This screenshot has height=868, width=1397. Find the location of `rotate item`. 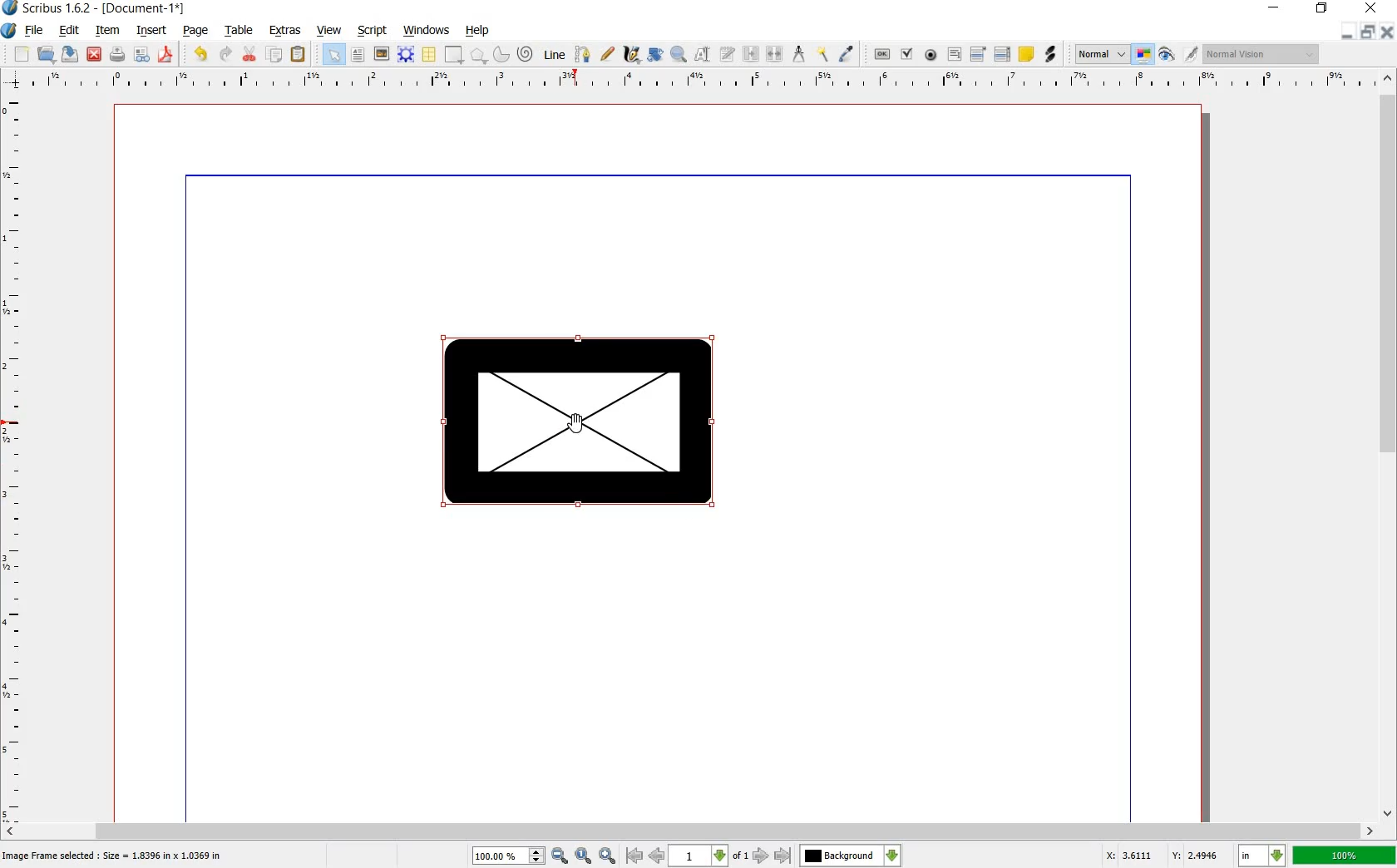

rotate item is located at coordinates (655, 54).